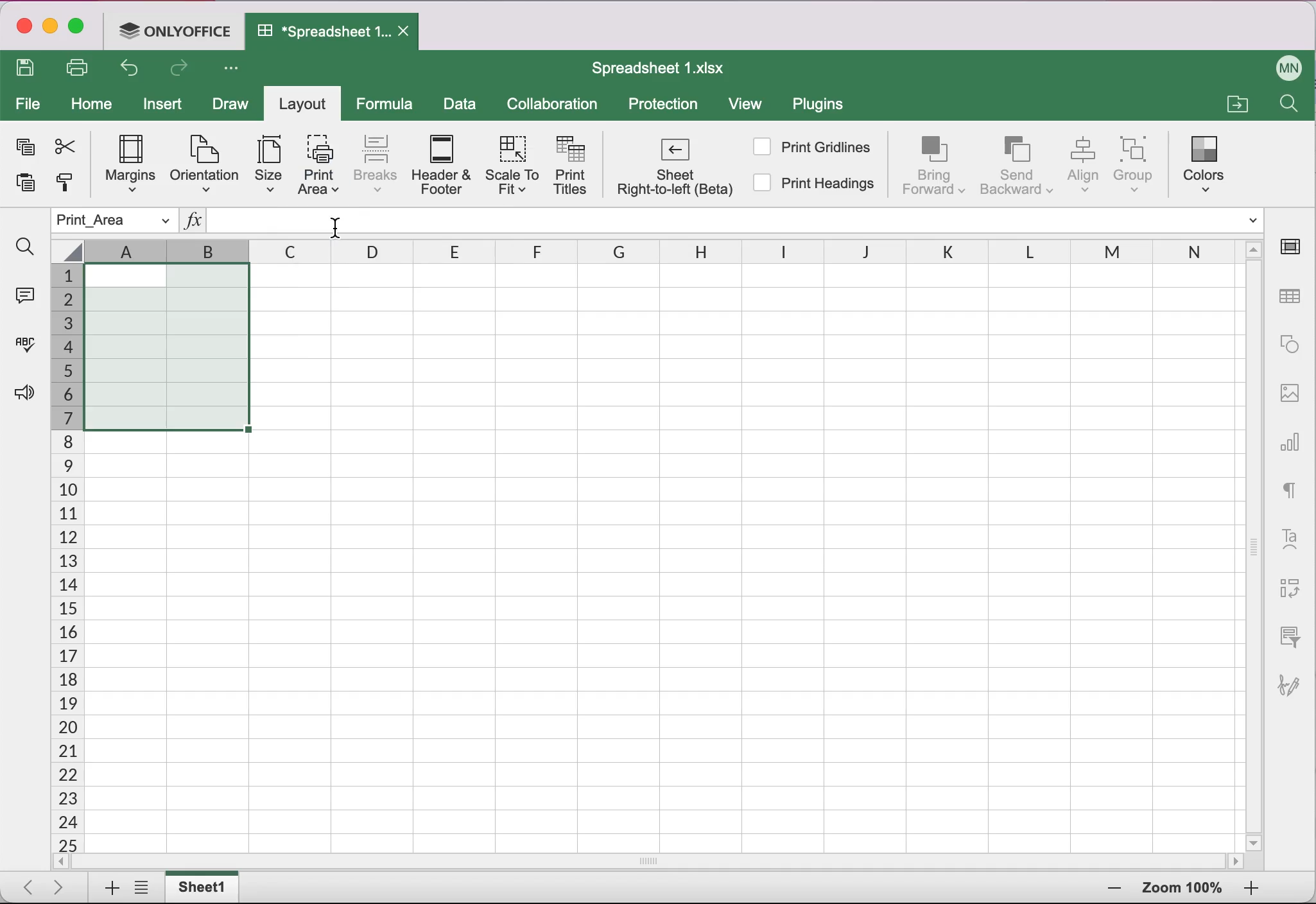 This screenshot has width=1316, height=904. Describe the element at coordinates (813, 146) in the screenshot. I see `Print gridlines` at that location.